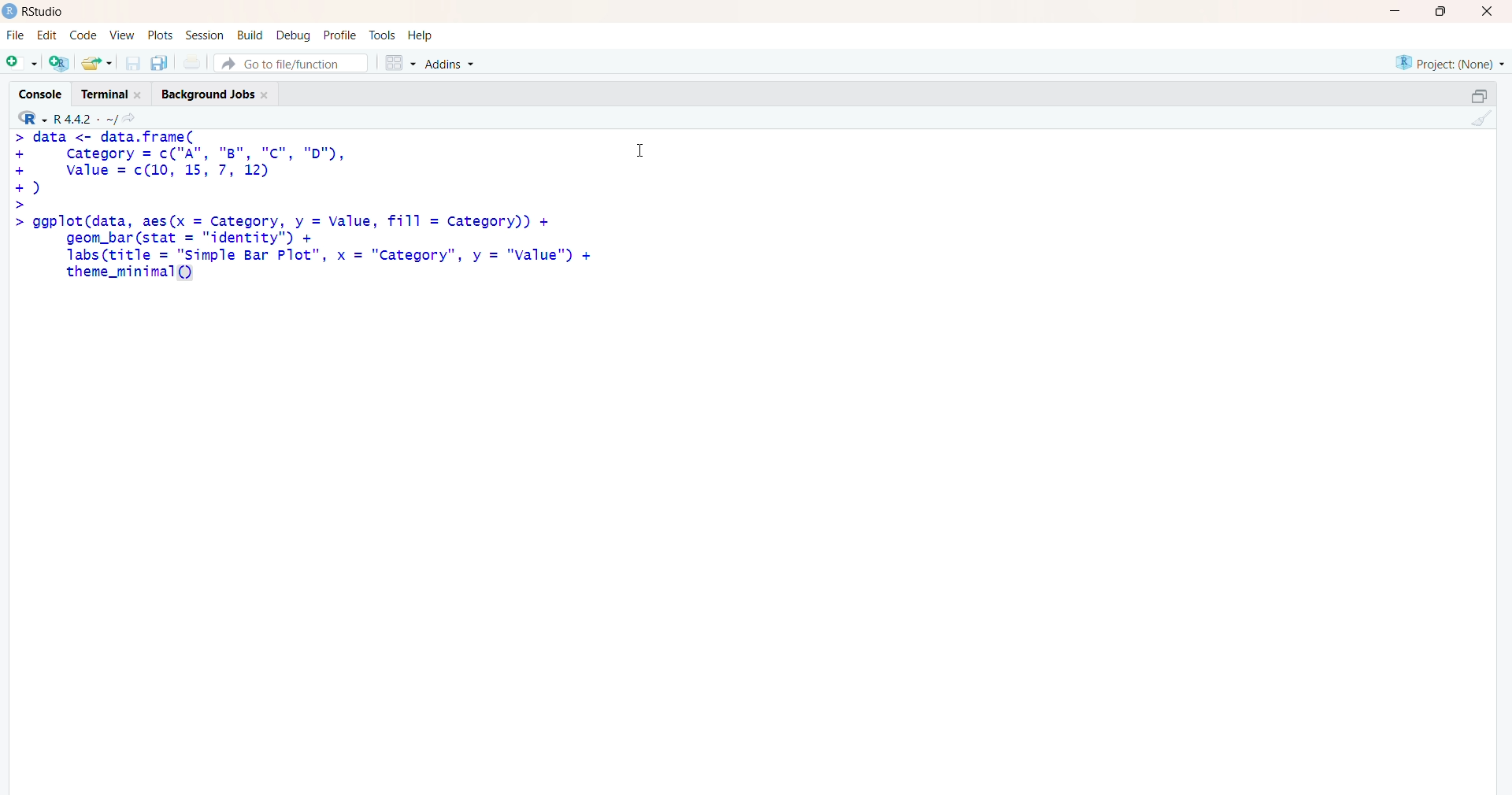 The image size is (1512, 795). Describe the element at coordinates (162, 35) in the screenshot. I see `plots` at that location.